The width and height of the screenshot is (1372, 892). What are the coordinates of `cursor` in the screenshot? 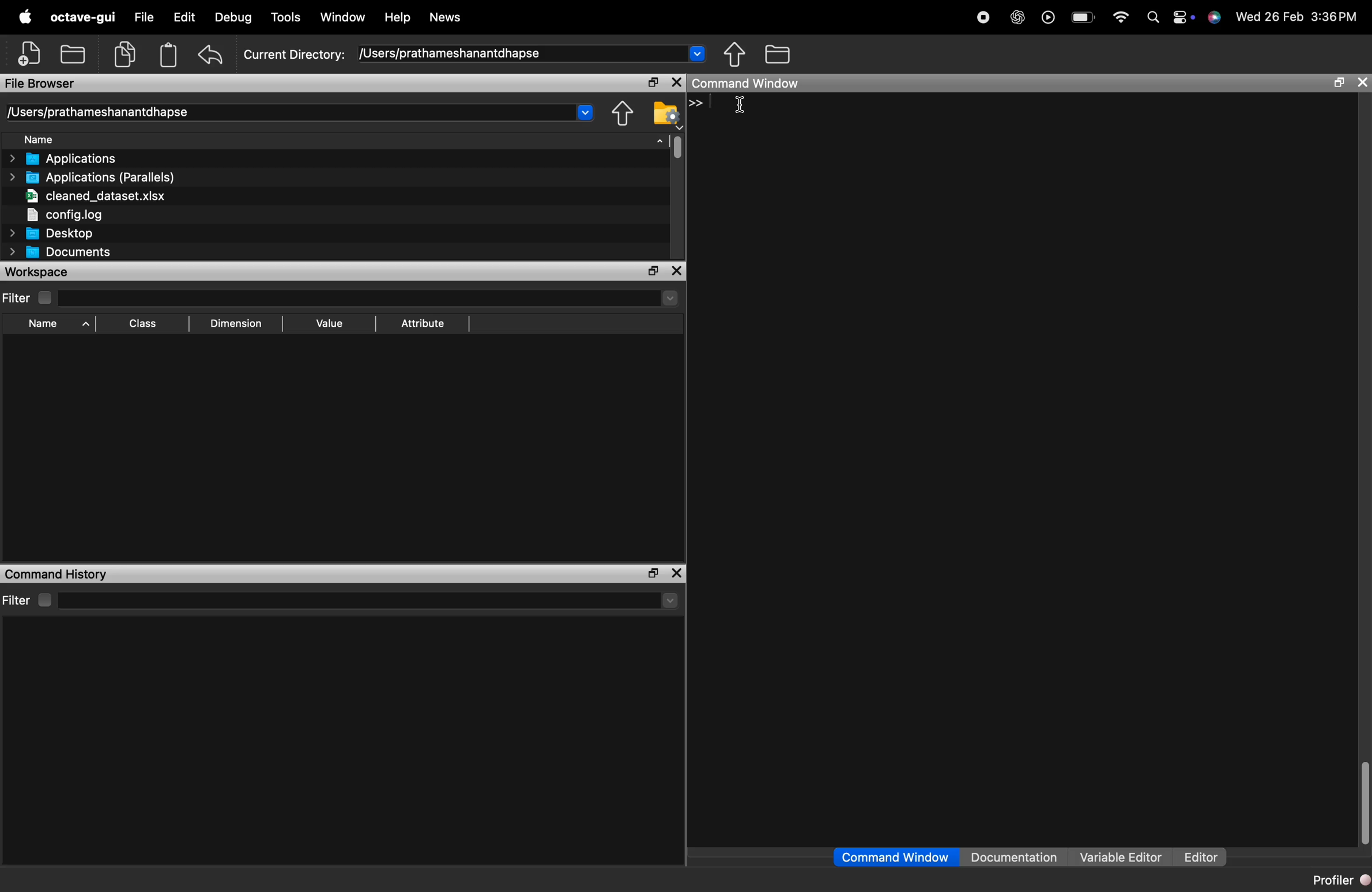 It's located at (738, 107).